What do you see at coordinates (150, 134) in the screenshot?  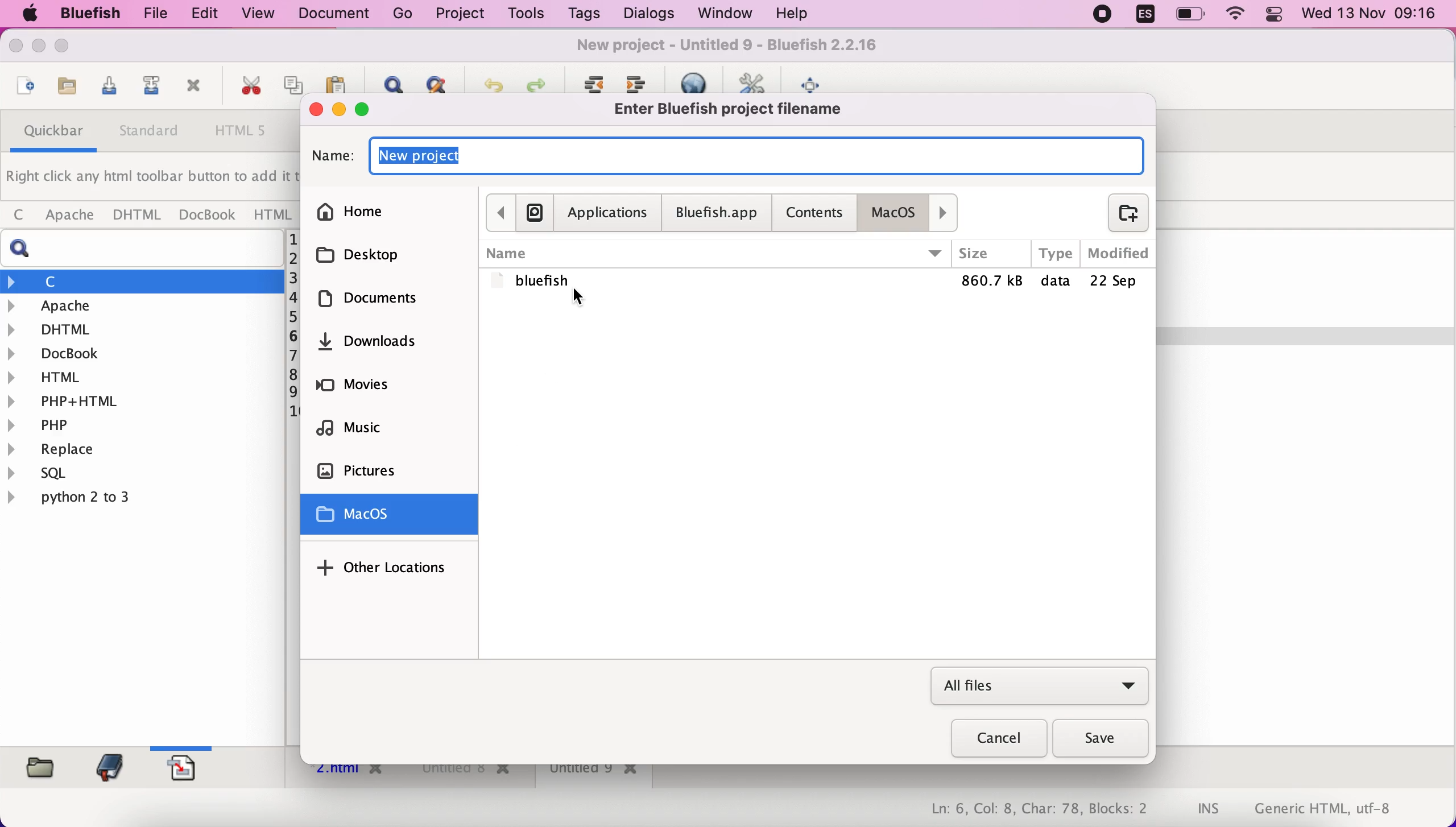 I see `standard` at bounding box center [150, 134].